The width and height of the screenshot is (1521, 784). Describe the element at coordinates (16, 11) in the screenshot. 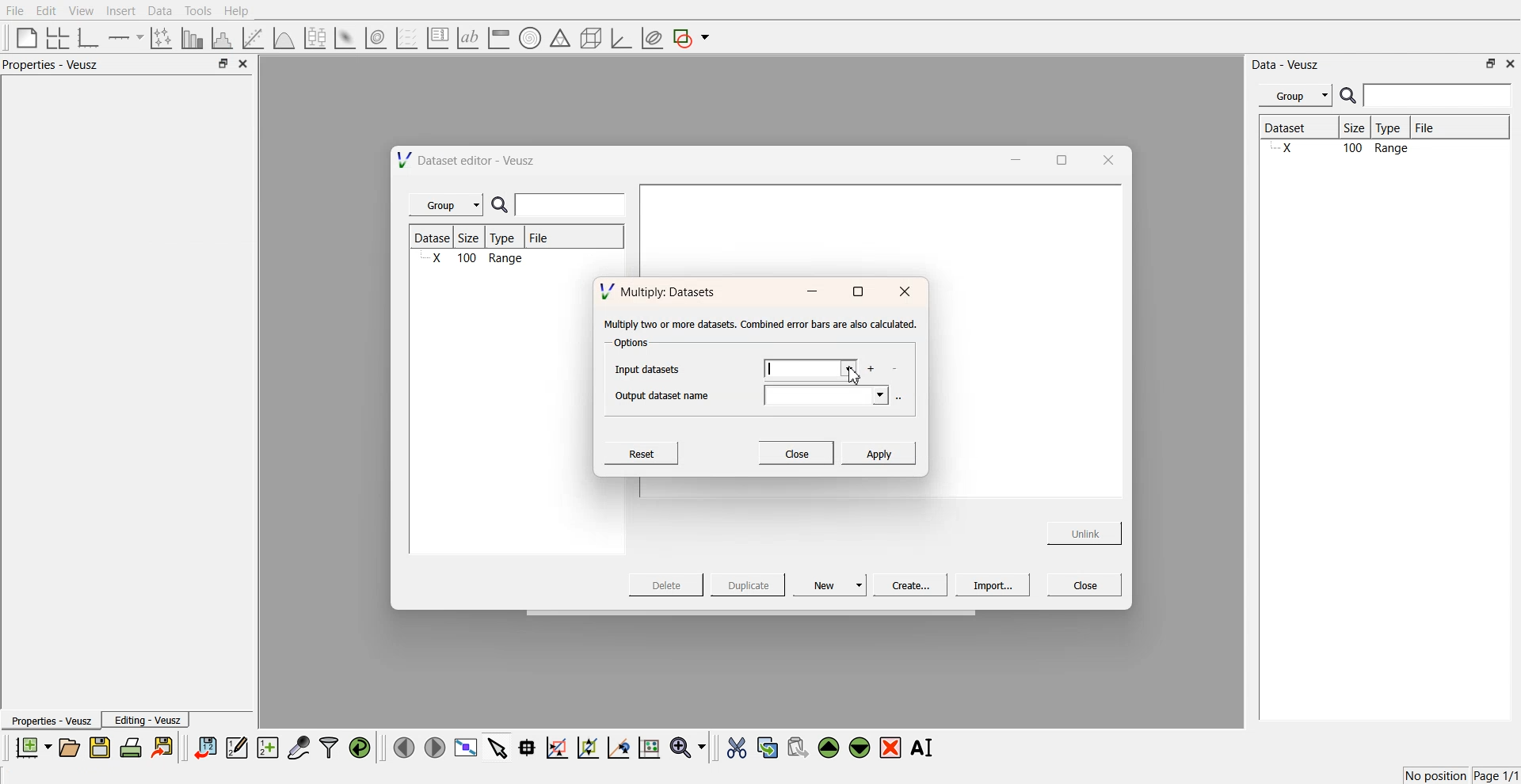

I see `File` at that location.